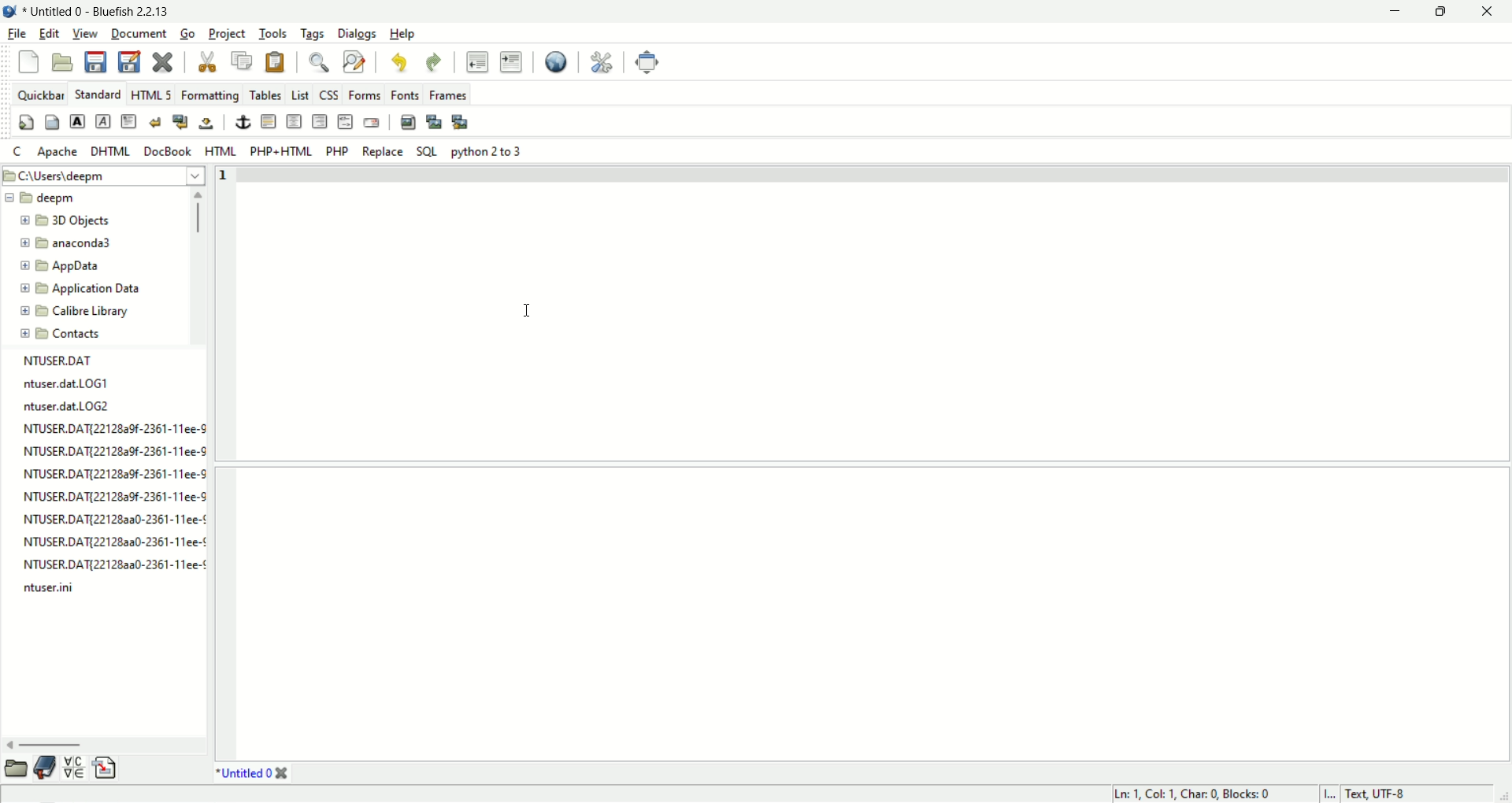  I want to click on find, so click(321, 62).